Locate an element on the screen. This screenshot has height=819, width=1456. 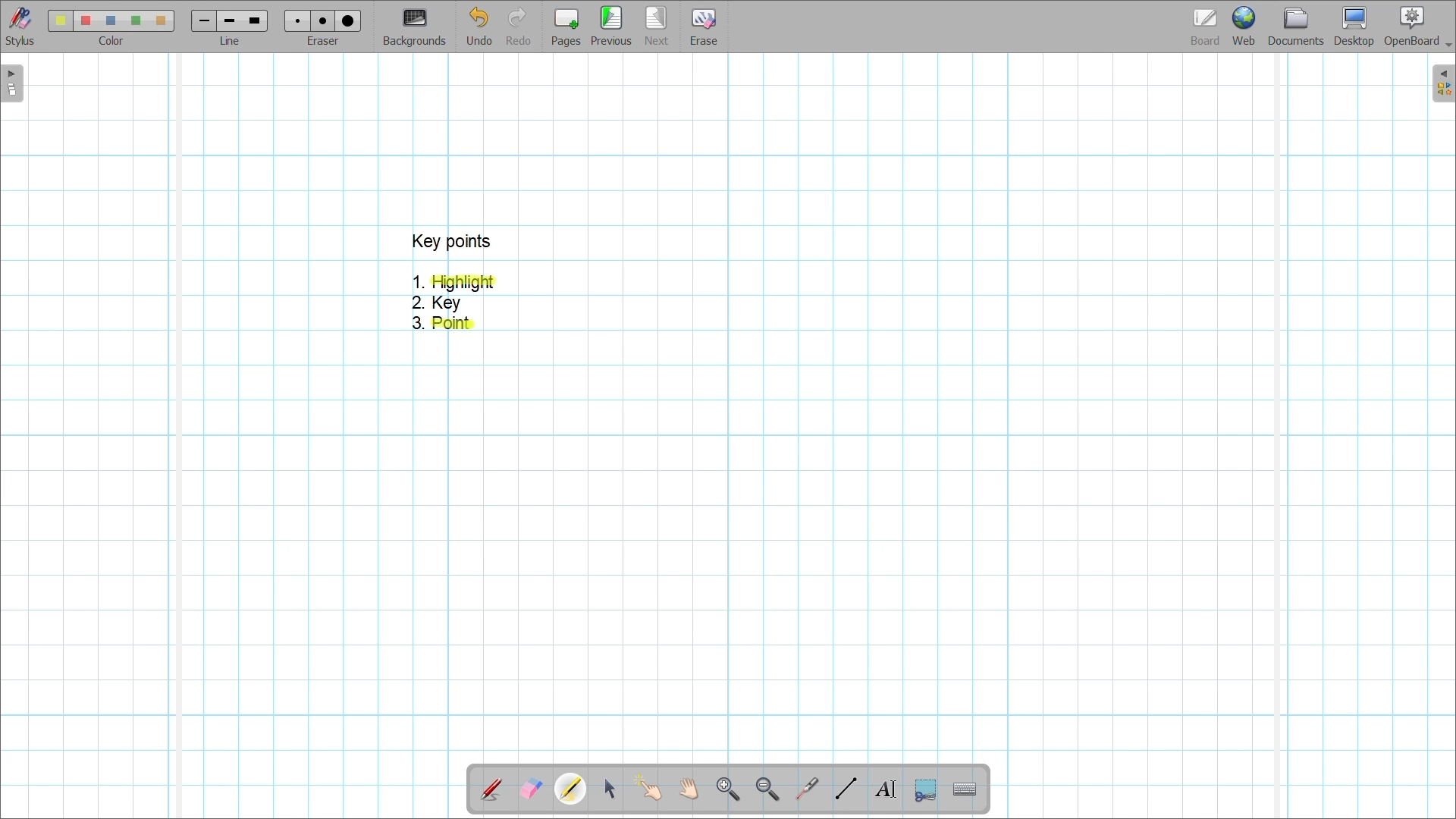
Scroll page is located at coordinates (688, 789).